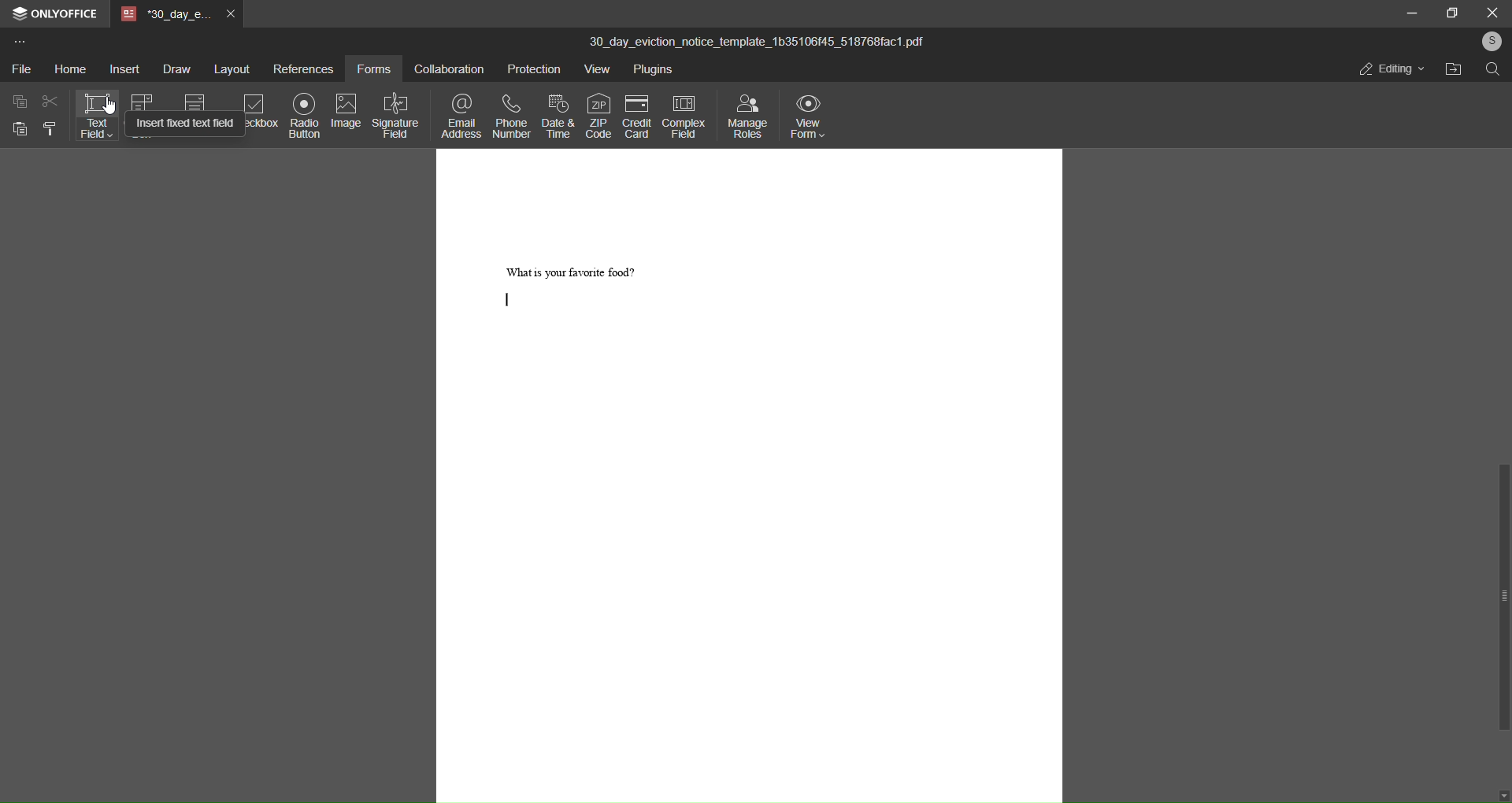 The width and height of the screenshot is (1512, 803). What do you see at coordinates (508, 300) in the screenshot?
I see `writing start` at bounding box center [508, 300].